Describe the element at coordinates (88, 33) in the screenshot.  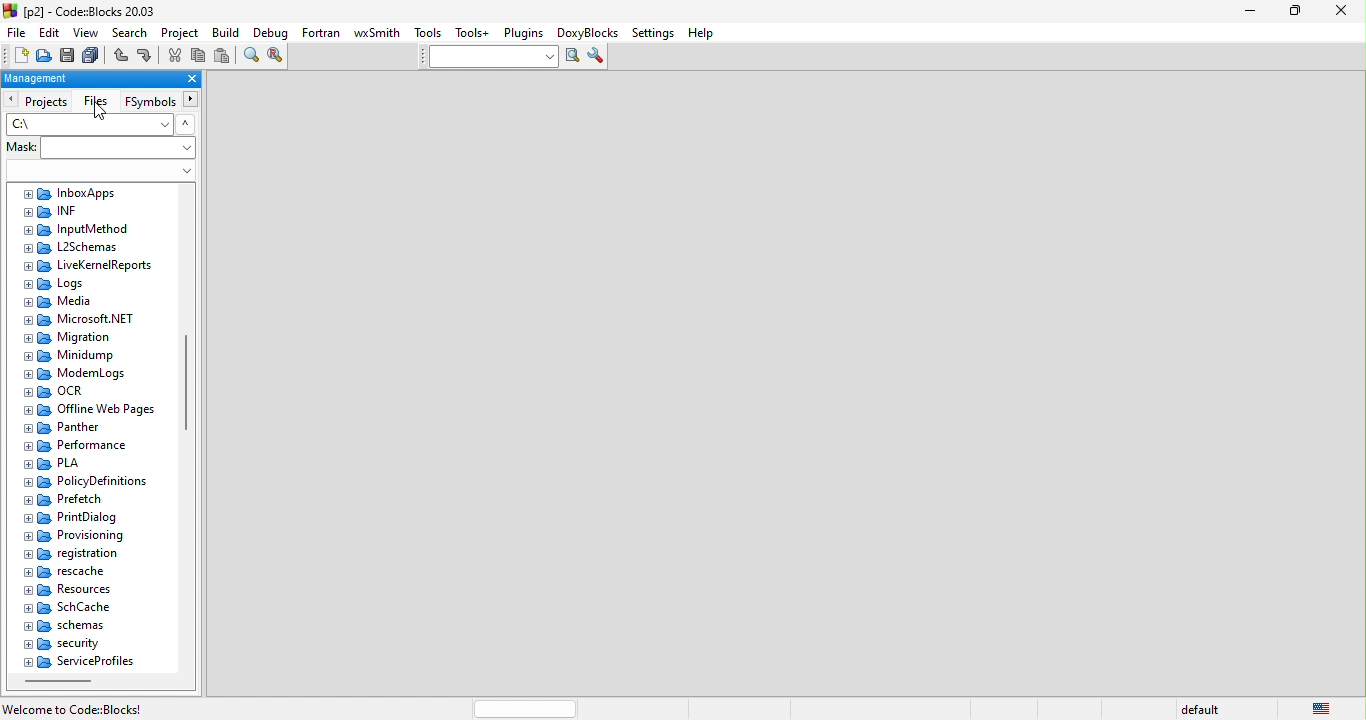
I see `view` at that location.